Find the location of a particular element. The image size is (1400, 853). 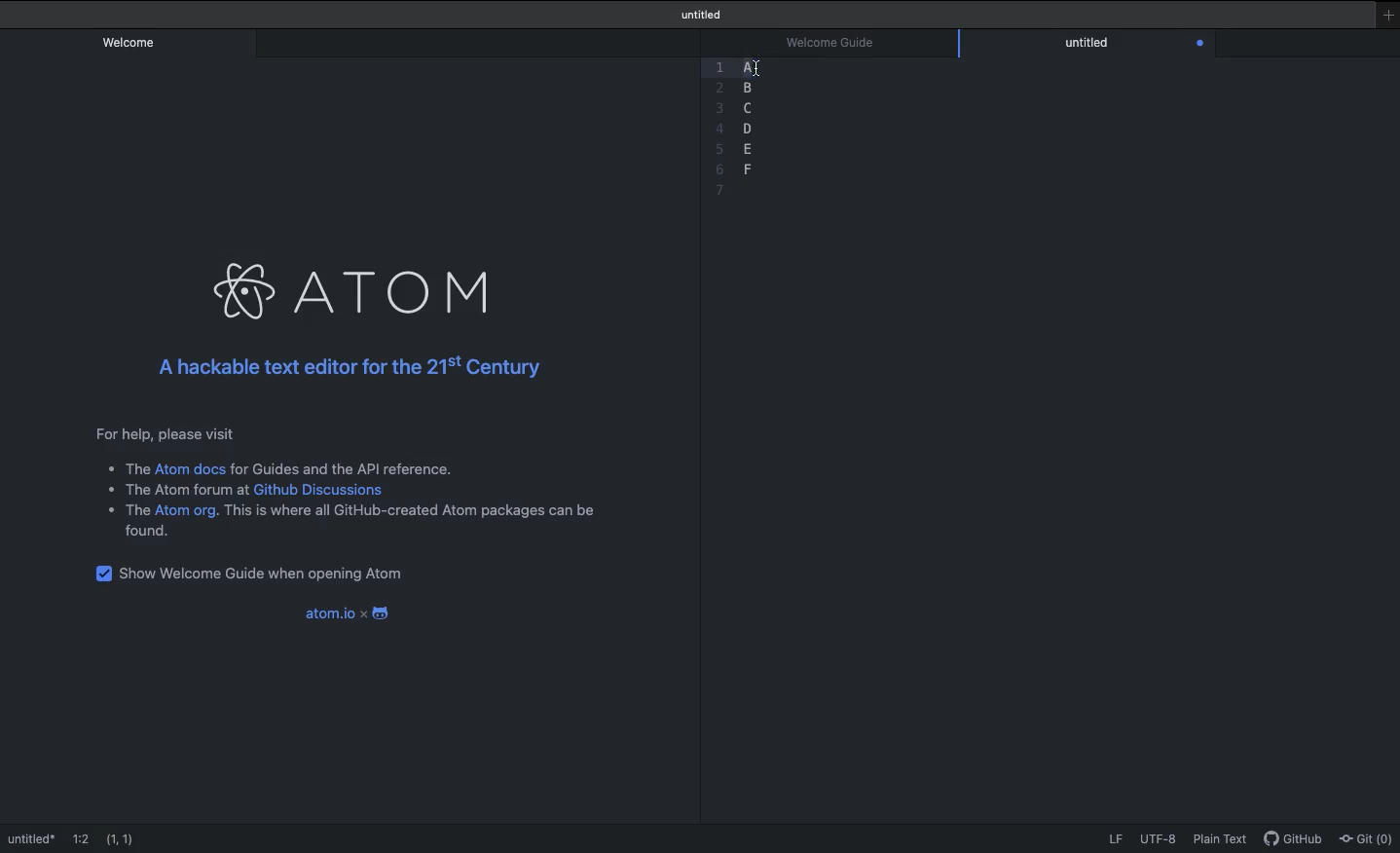

UTF-8 is located at coordinates (1160, 839).